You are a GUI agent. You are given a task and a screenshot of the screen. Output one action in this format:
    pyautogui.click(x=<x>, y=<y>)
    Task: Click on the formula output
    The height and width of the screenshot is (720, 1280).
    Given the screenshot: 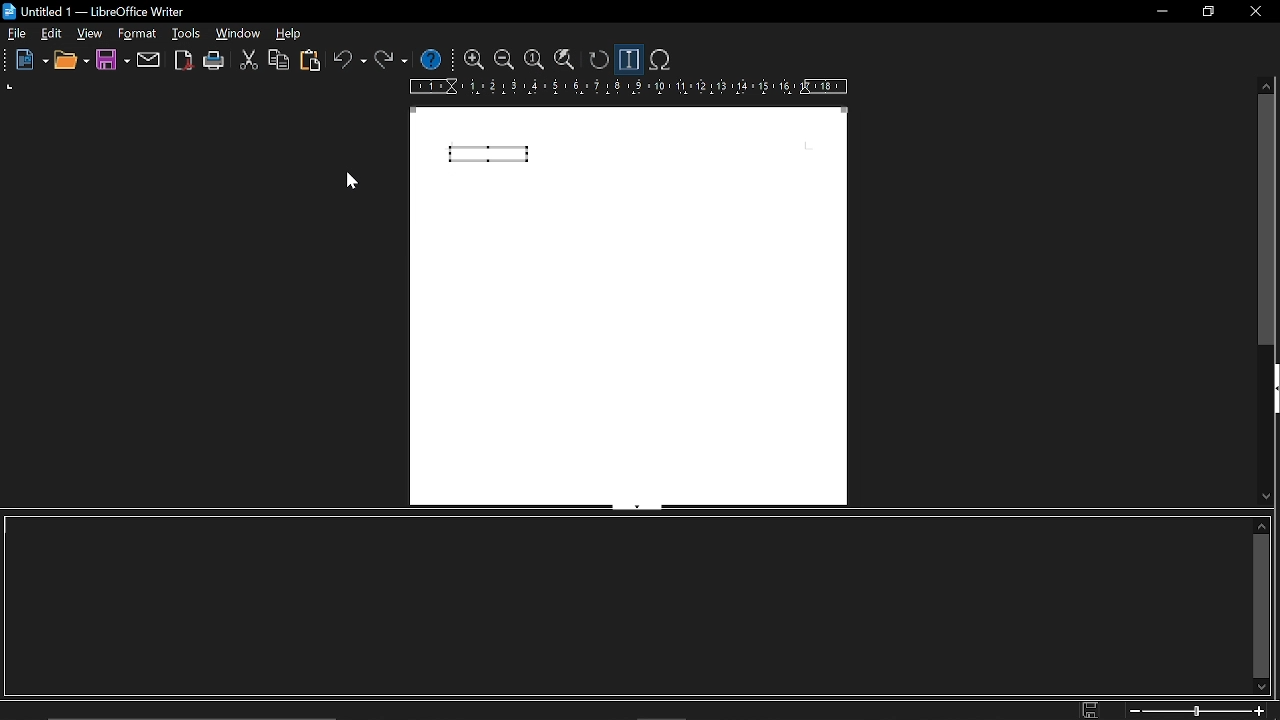 What is the action you would take?
    pyautogui.click(x=491, y=154)
    